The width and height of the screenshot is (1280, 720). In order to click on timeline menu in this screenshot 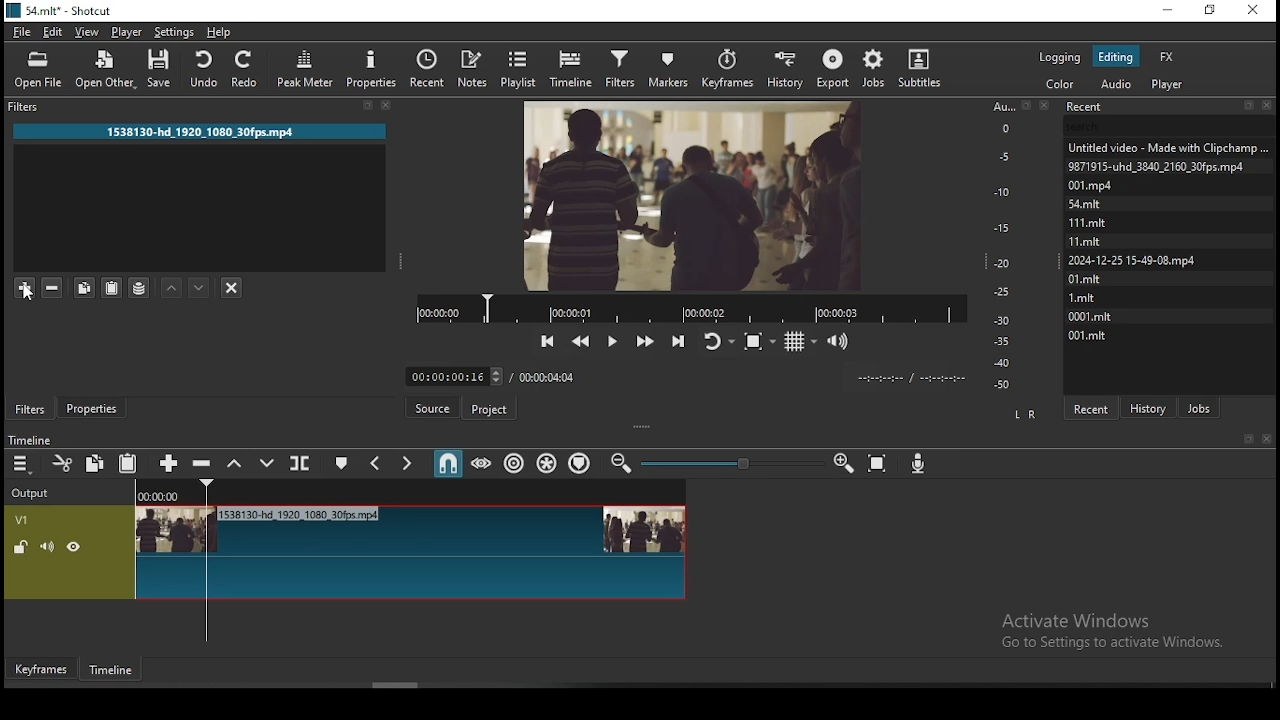, I will do `click(23, 466)`.